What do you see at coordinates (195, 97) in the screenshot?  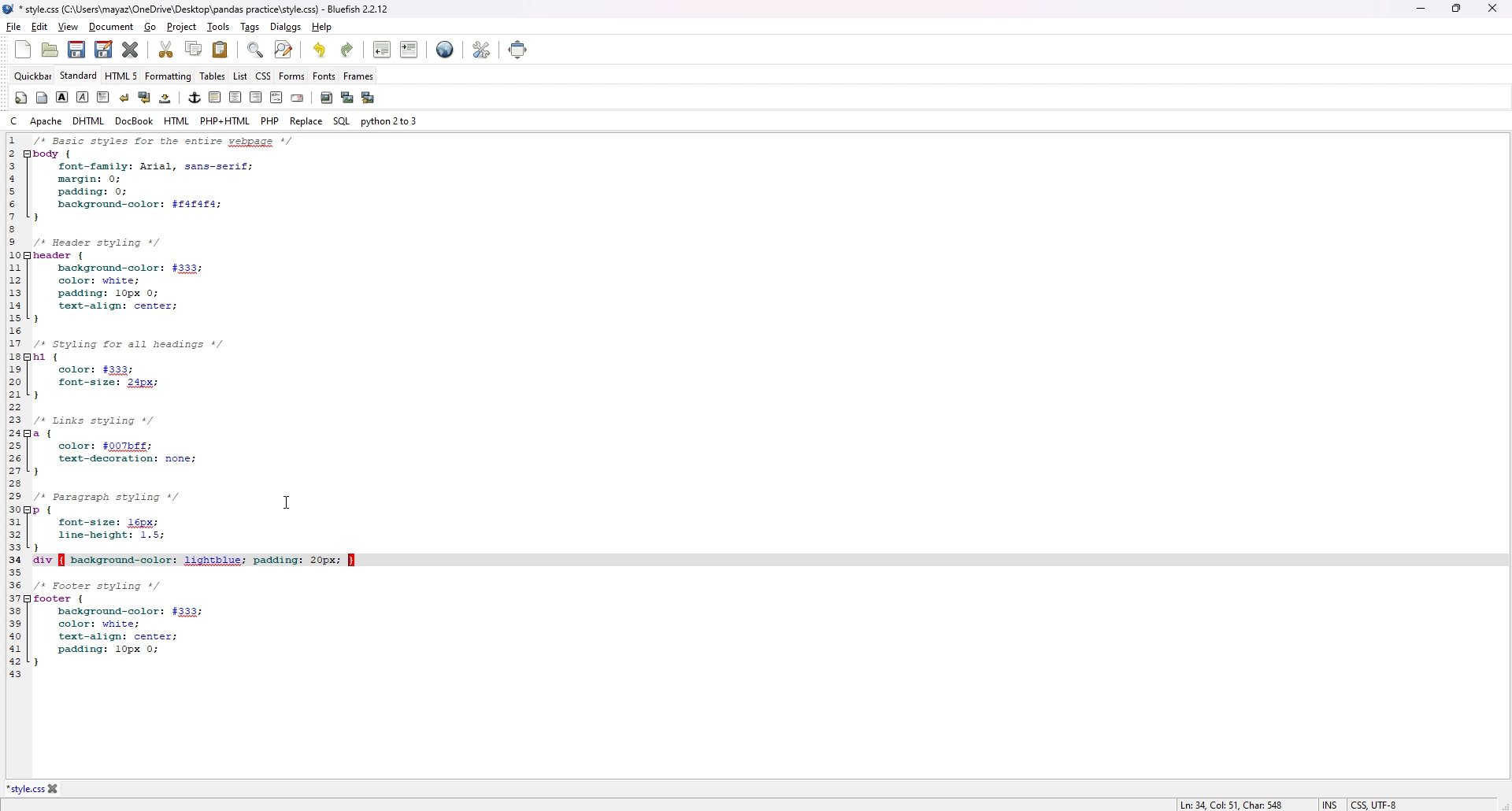 I see `anchor` at bounding box center [195, 97].